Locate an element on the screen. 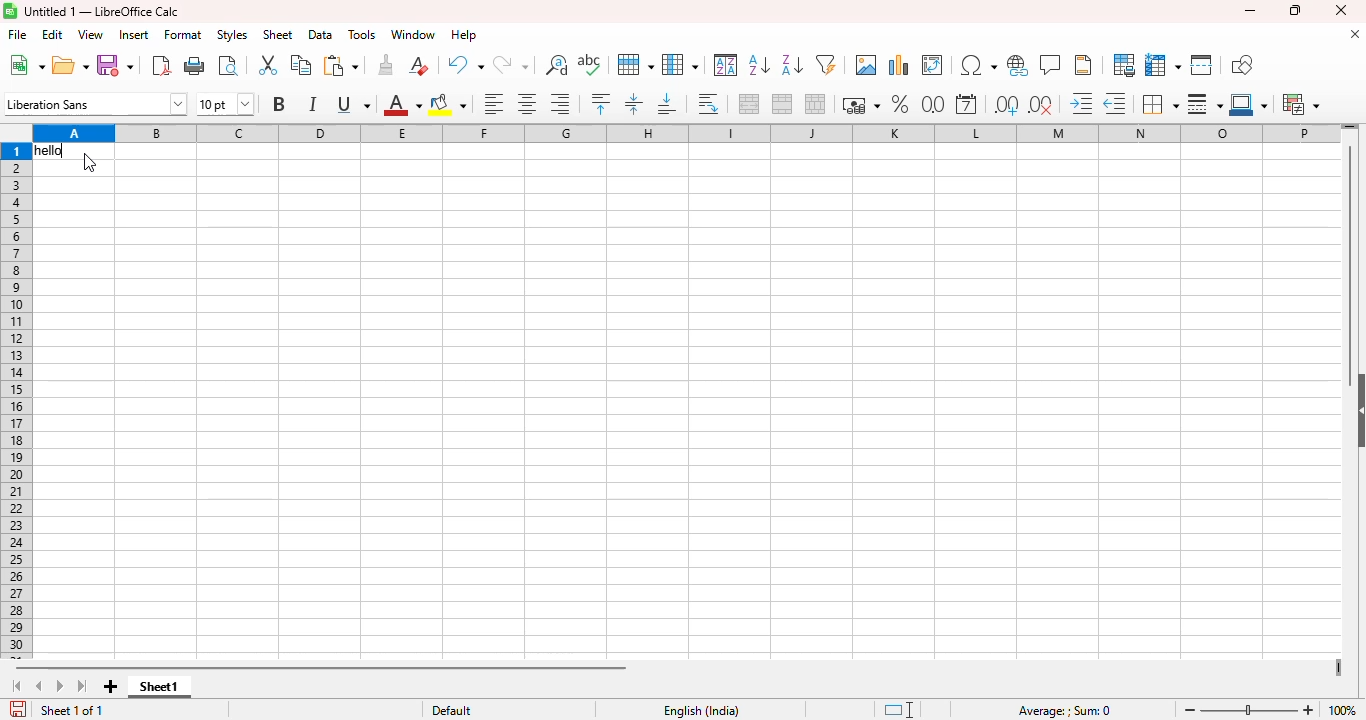 Image resolution: width=1366 pixels, height=720 pixels. styles is located at coordinates (232, 34).